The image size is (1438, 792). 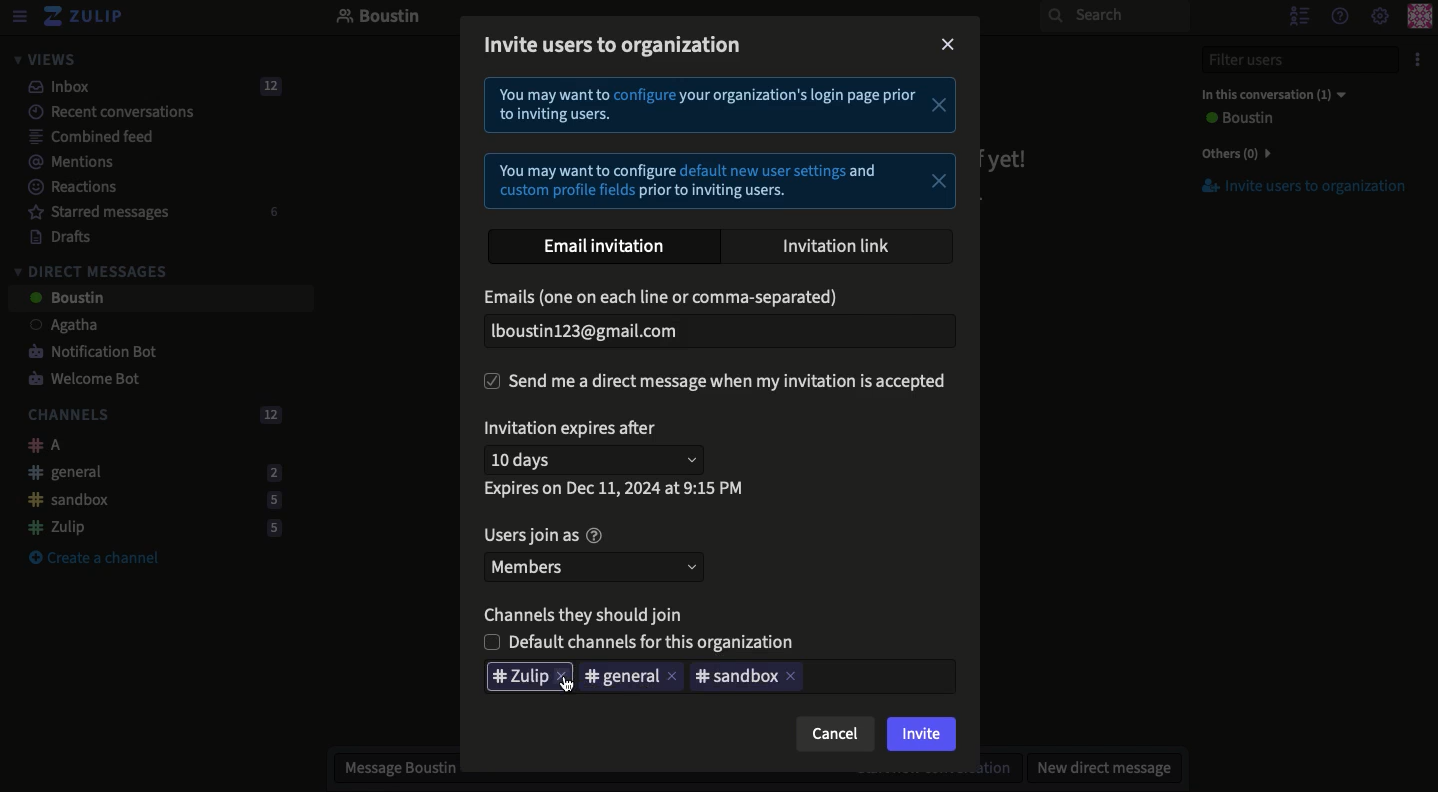 I want to click on Instructional text, so click(x=720, y=145).